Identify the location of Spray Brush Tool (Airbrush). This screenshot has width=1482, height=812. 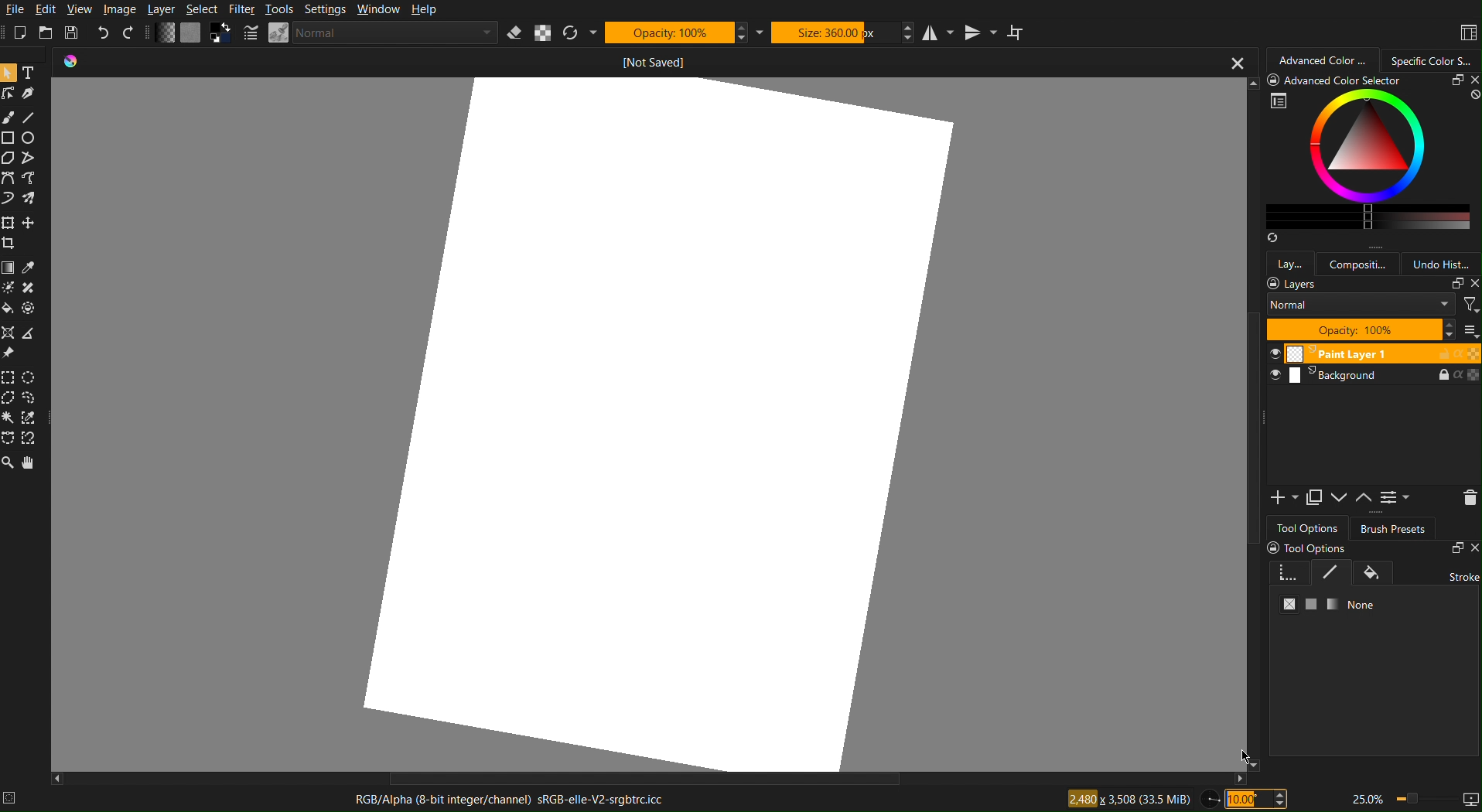
(29, 198).